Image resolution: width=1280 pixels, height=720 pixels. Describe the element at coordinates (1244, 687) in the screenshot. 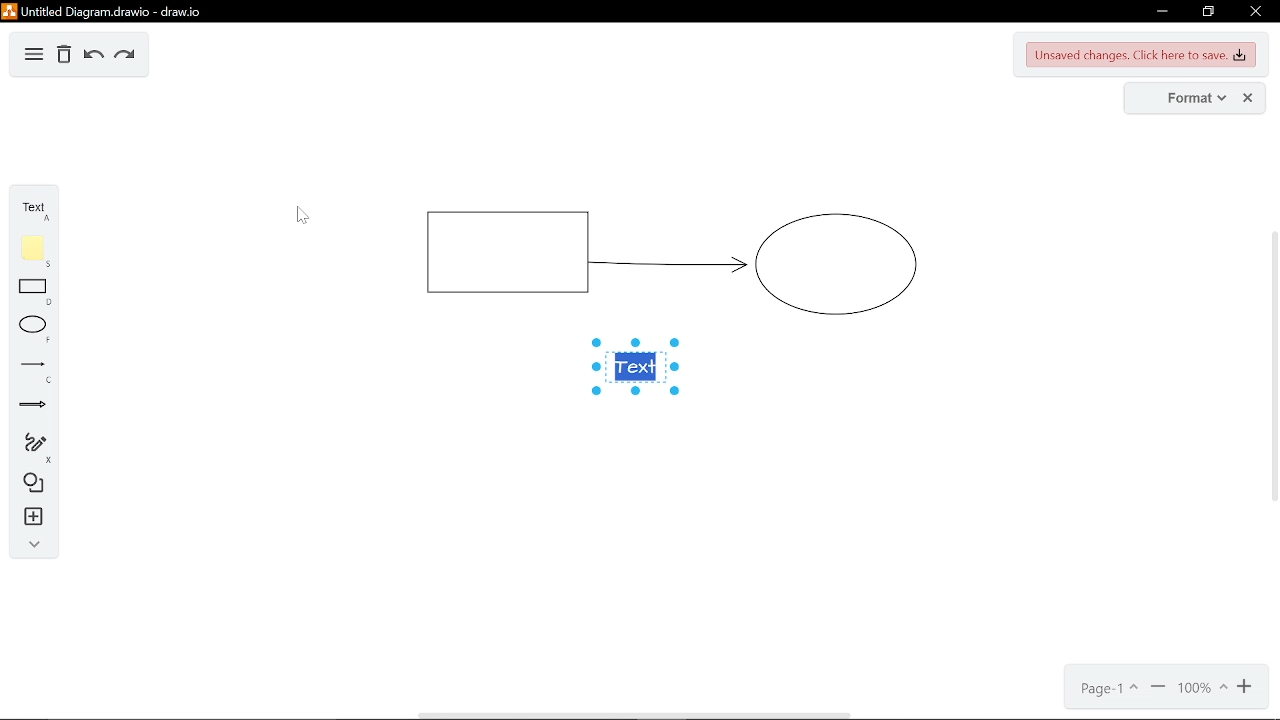

I see `zoom out` at that location.